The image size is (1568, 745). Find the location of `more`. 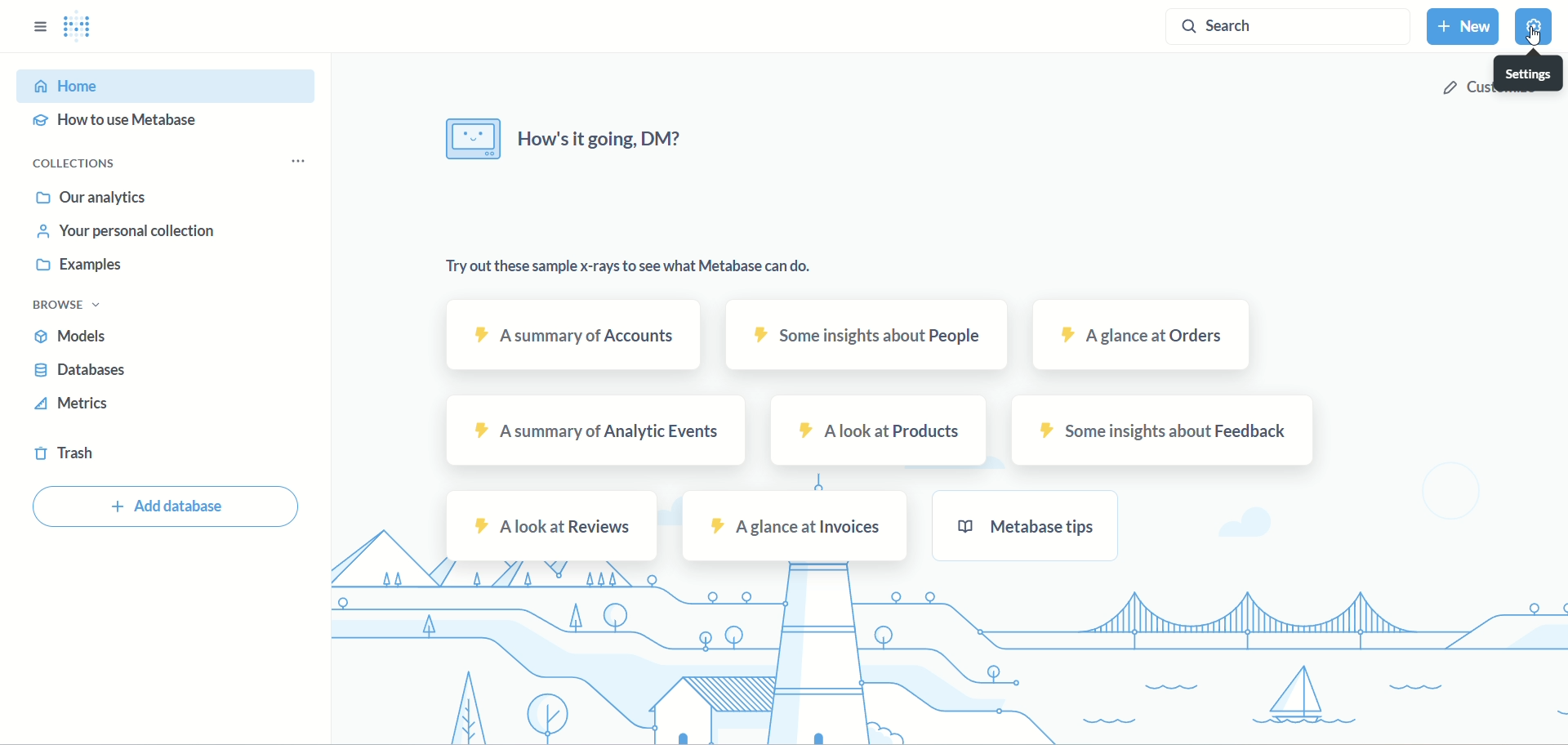

more is located at coordinates (299, 161).